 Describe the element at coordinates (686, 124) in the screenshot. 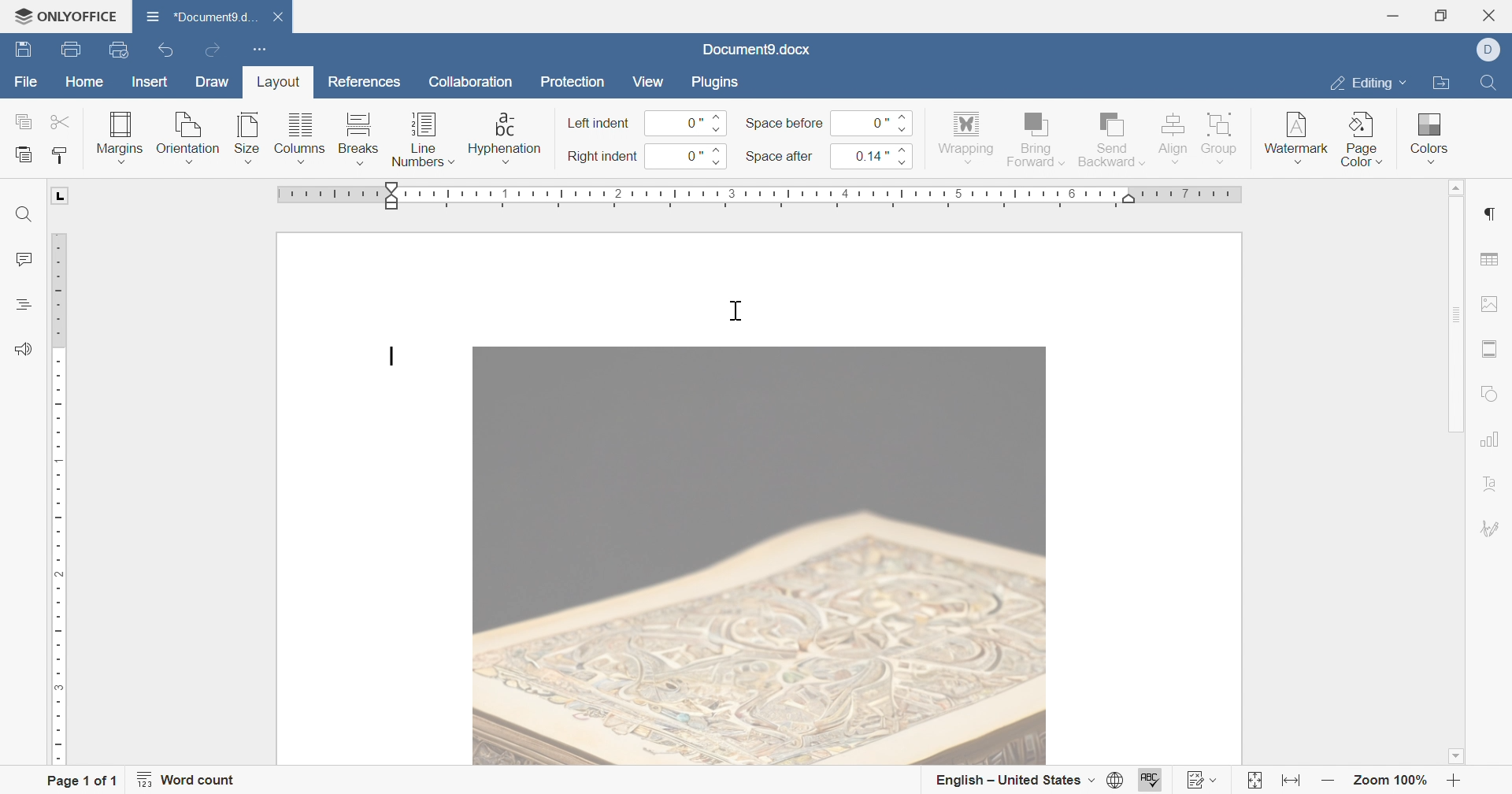

I see `0` at that location.